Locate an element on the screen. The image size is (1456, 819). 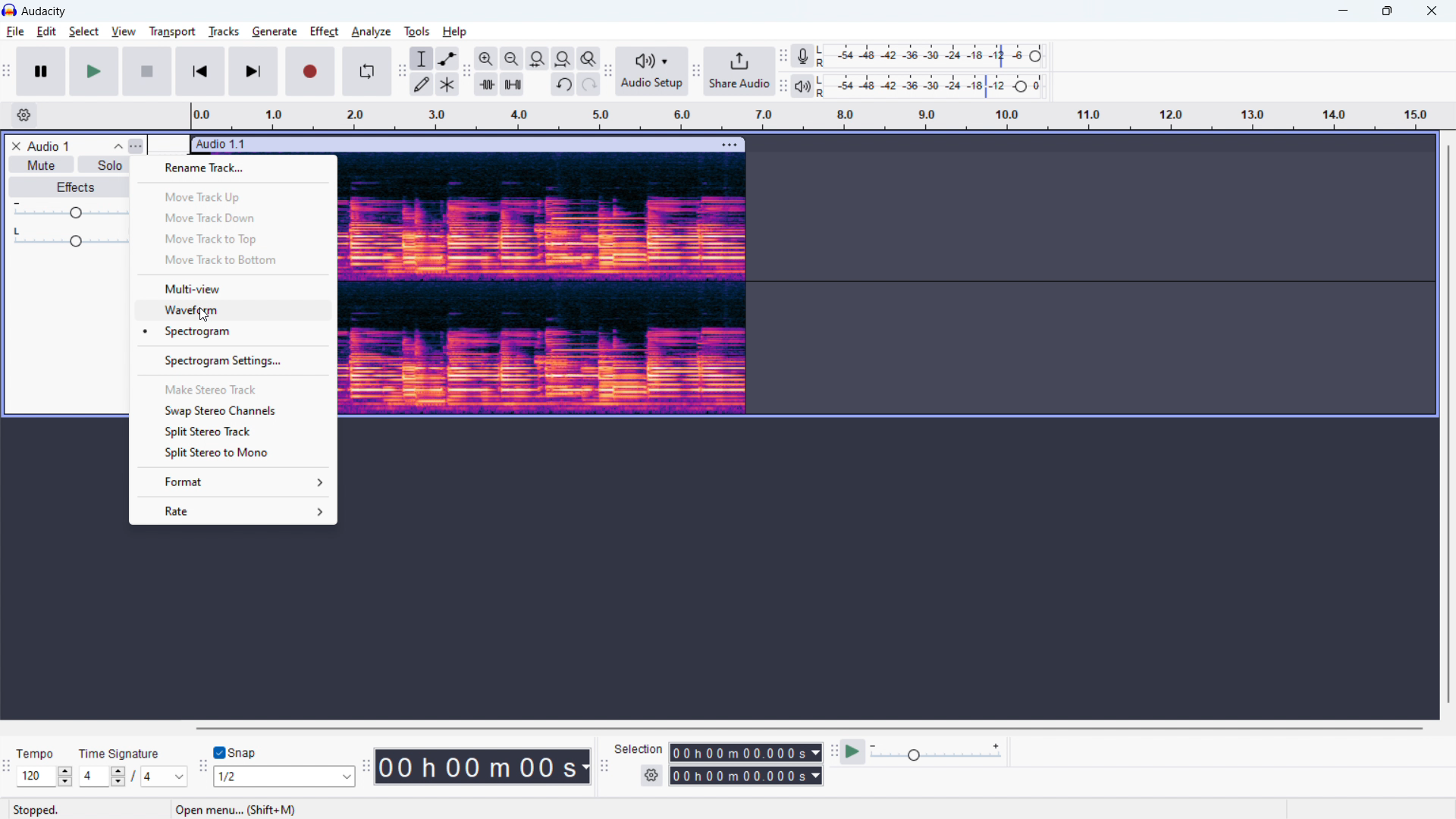
note value in time signature is located at coordinates (168, 778).